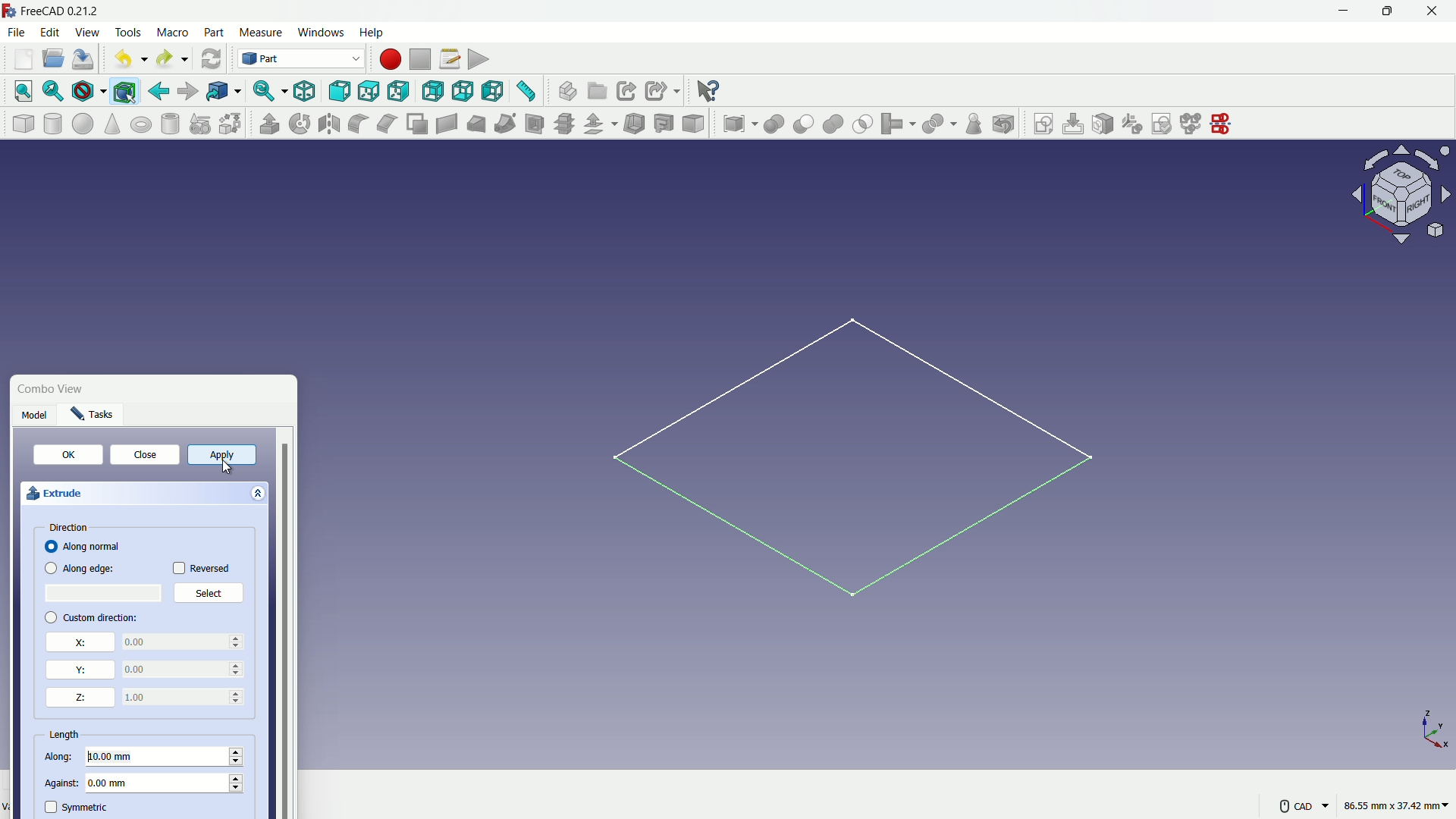 This screenshot has height=819, width=1456. Describe the element at coordinates (397, 93) in the screenshot. I see `right view` at that location.